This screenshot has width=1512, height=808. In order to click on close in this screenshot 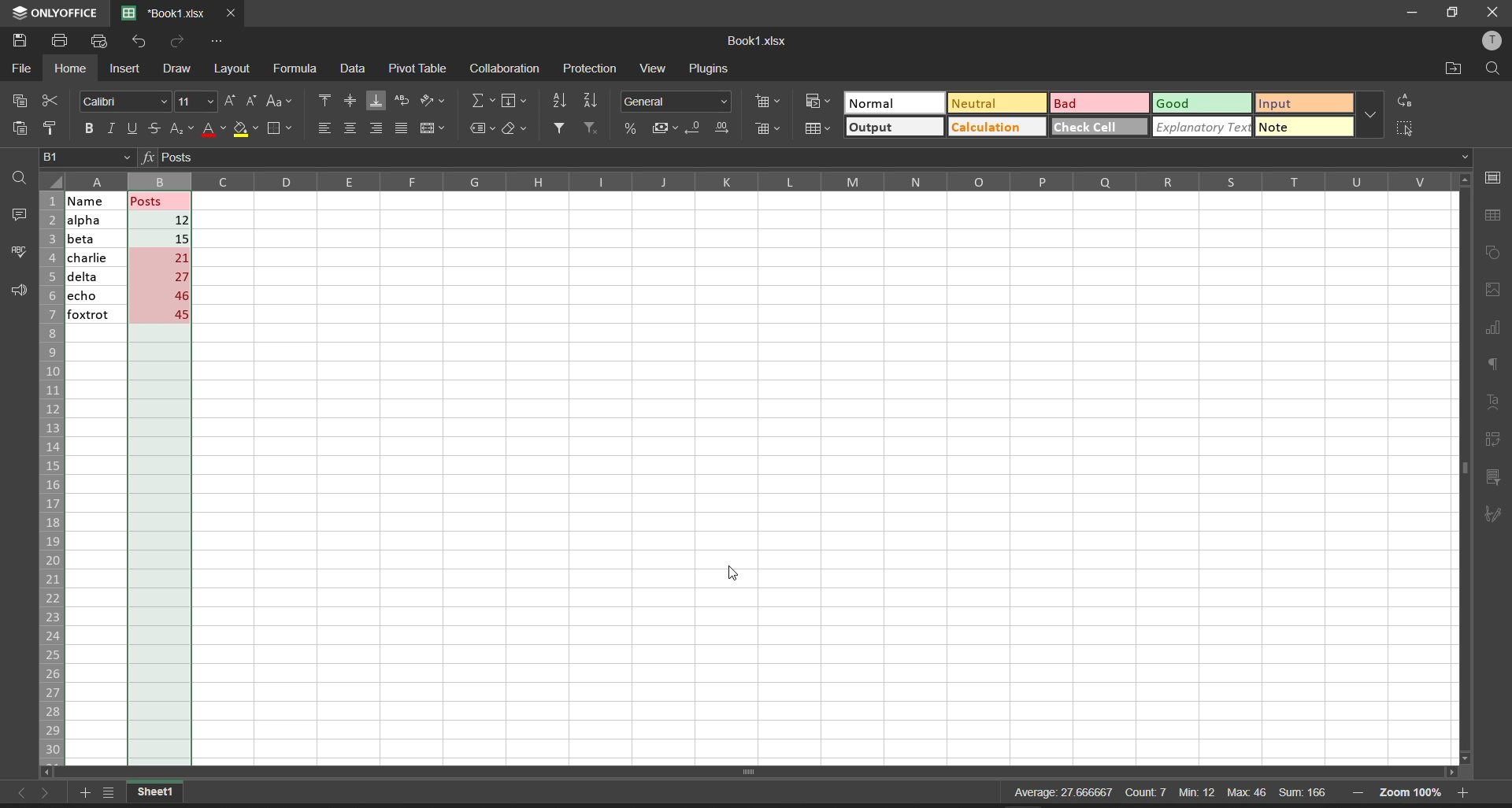, I will do `click(1496, 12)`.